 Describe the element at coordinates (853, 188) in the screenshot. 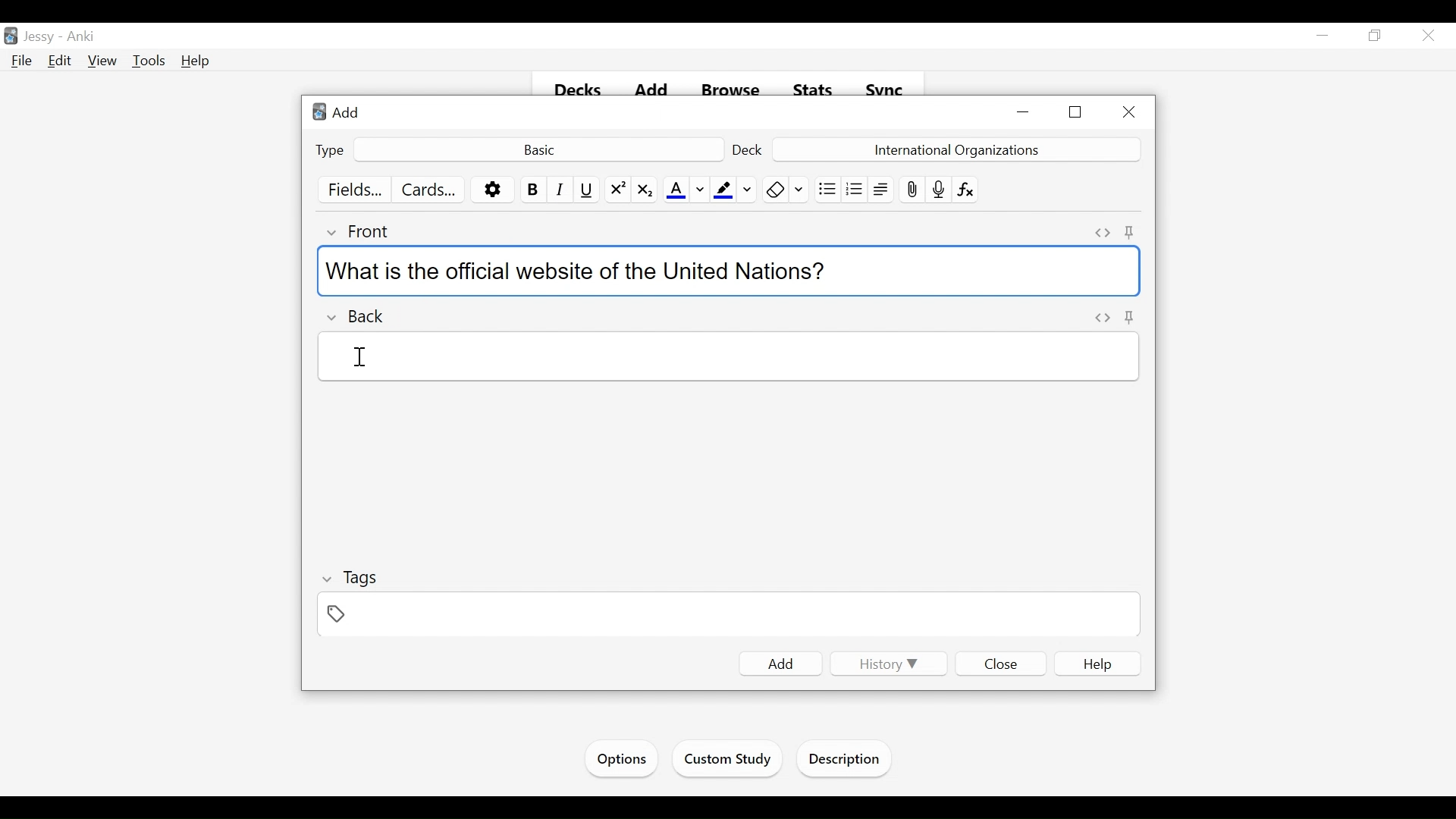

I see `Ordered list` at that location.